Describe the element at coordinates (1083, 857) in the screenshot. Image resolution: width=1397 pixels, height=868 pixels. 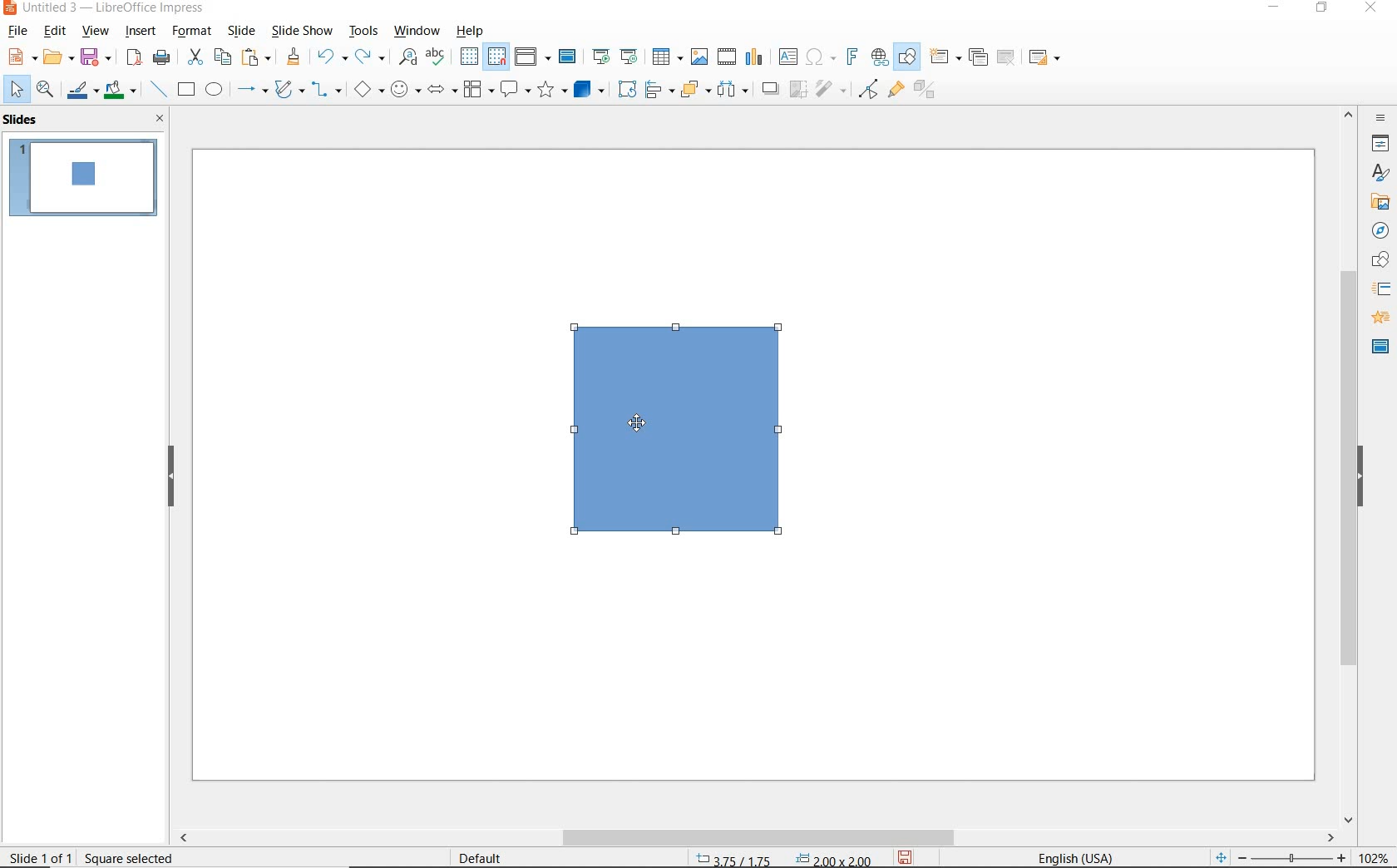
I see `text language` at that location.